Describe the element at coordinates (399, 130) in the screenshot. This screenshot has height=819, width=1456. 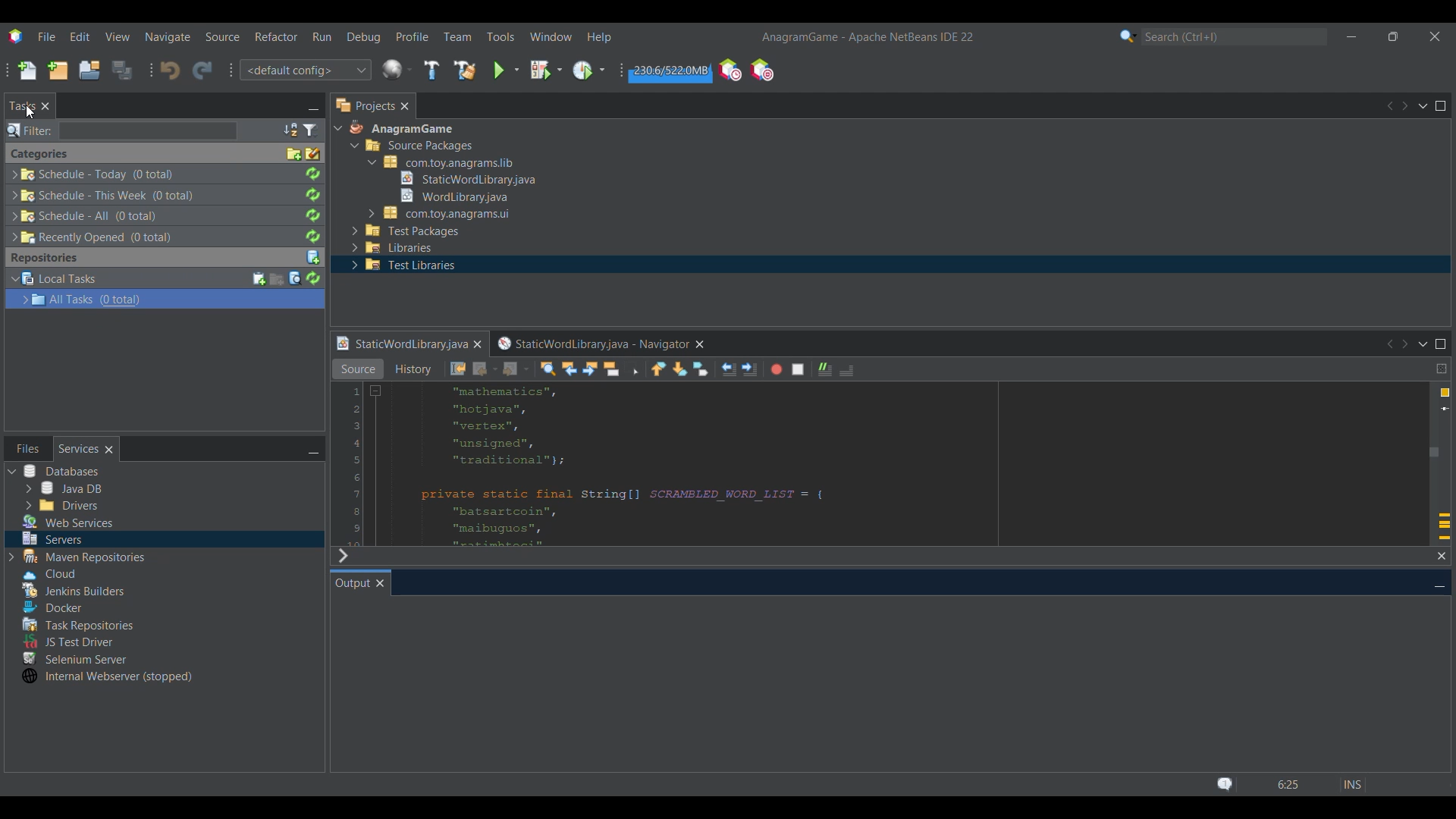
I see `` at that location.